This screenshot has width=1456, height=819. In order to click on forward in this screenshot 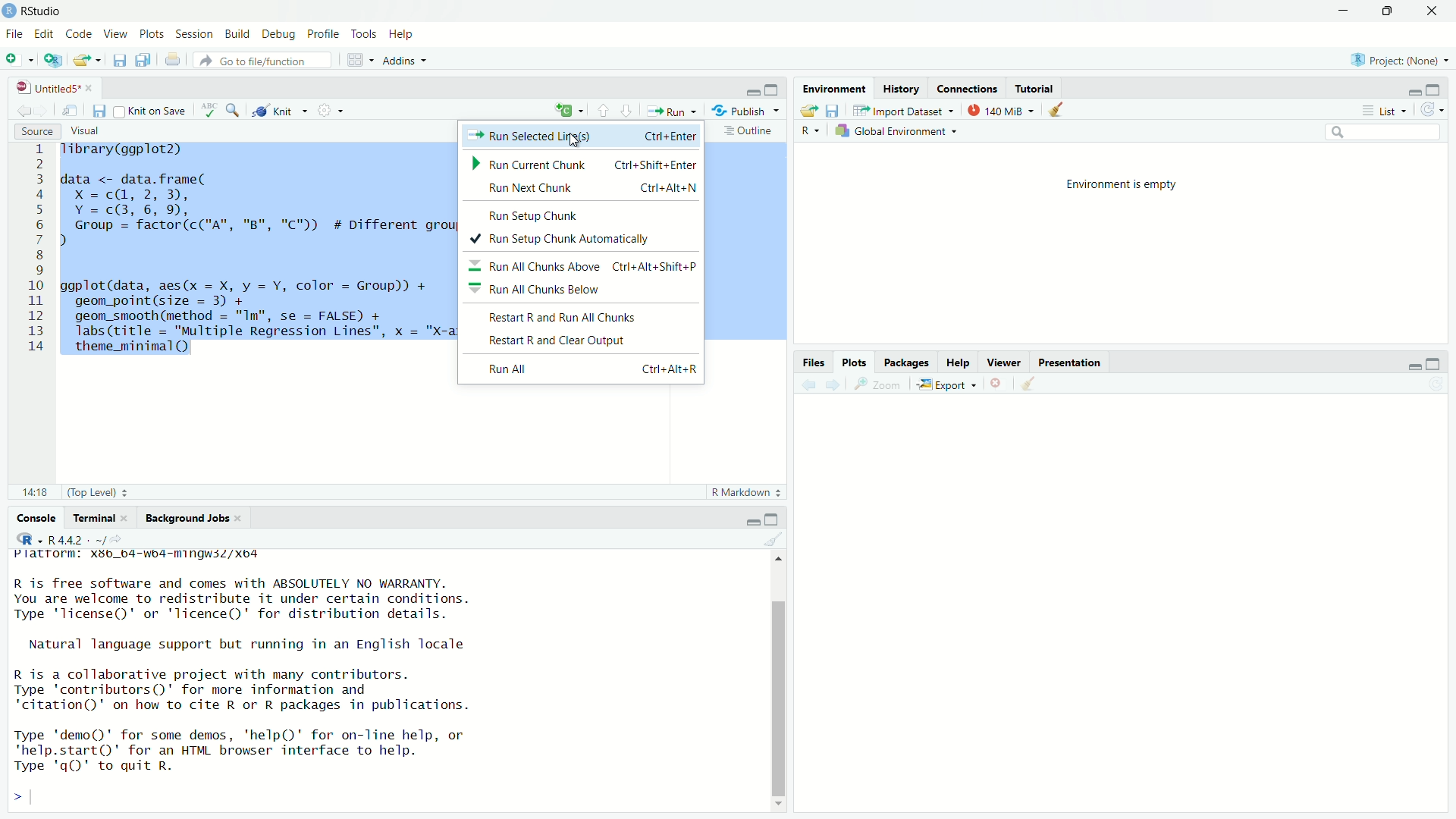, I will do `click(836, 384)`.